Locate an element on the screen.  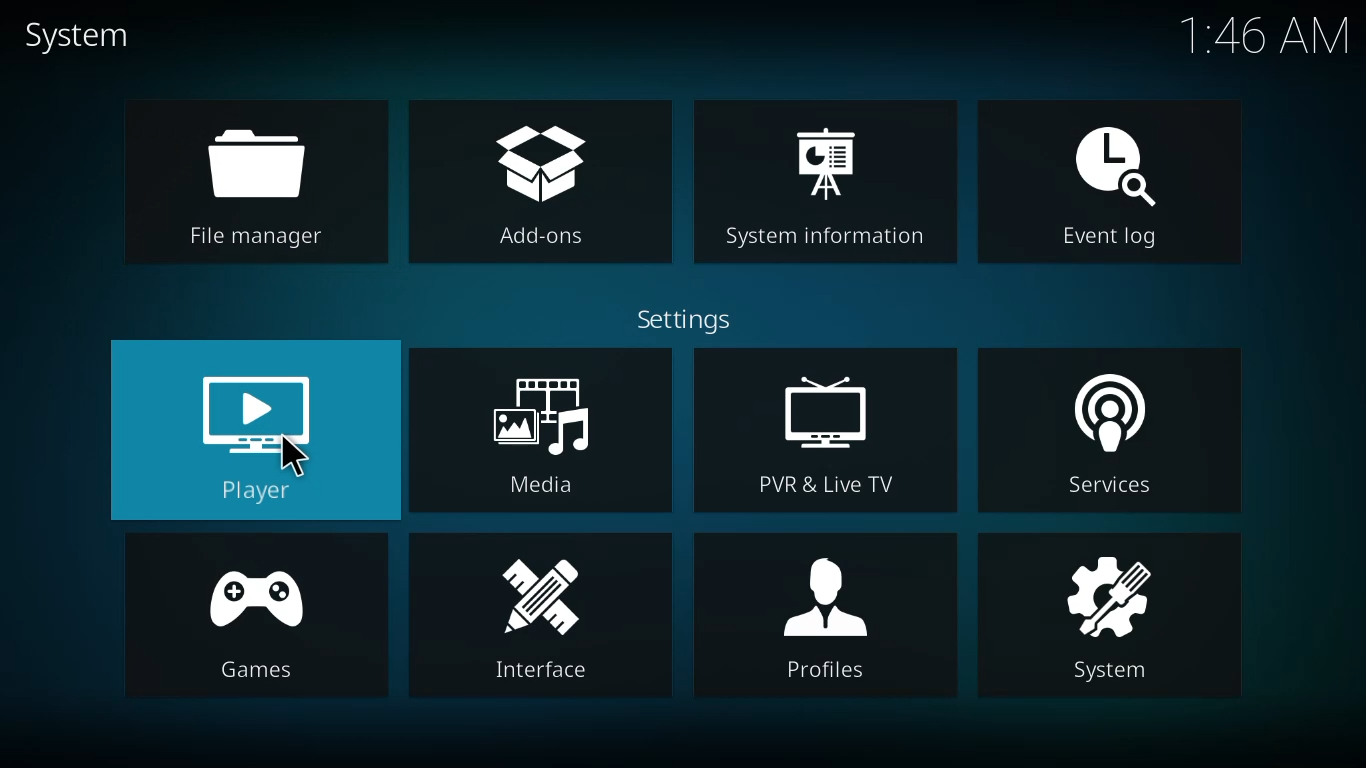
system is located at coordinates (81, 36).